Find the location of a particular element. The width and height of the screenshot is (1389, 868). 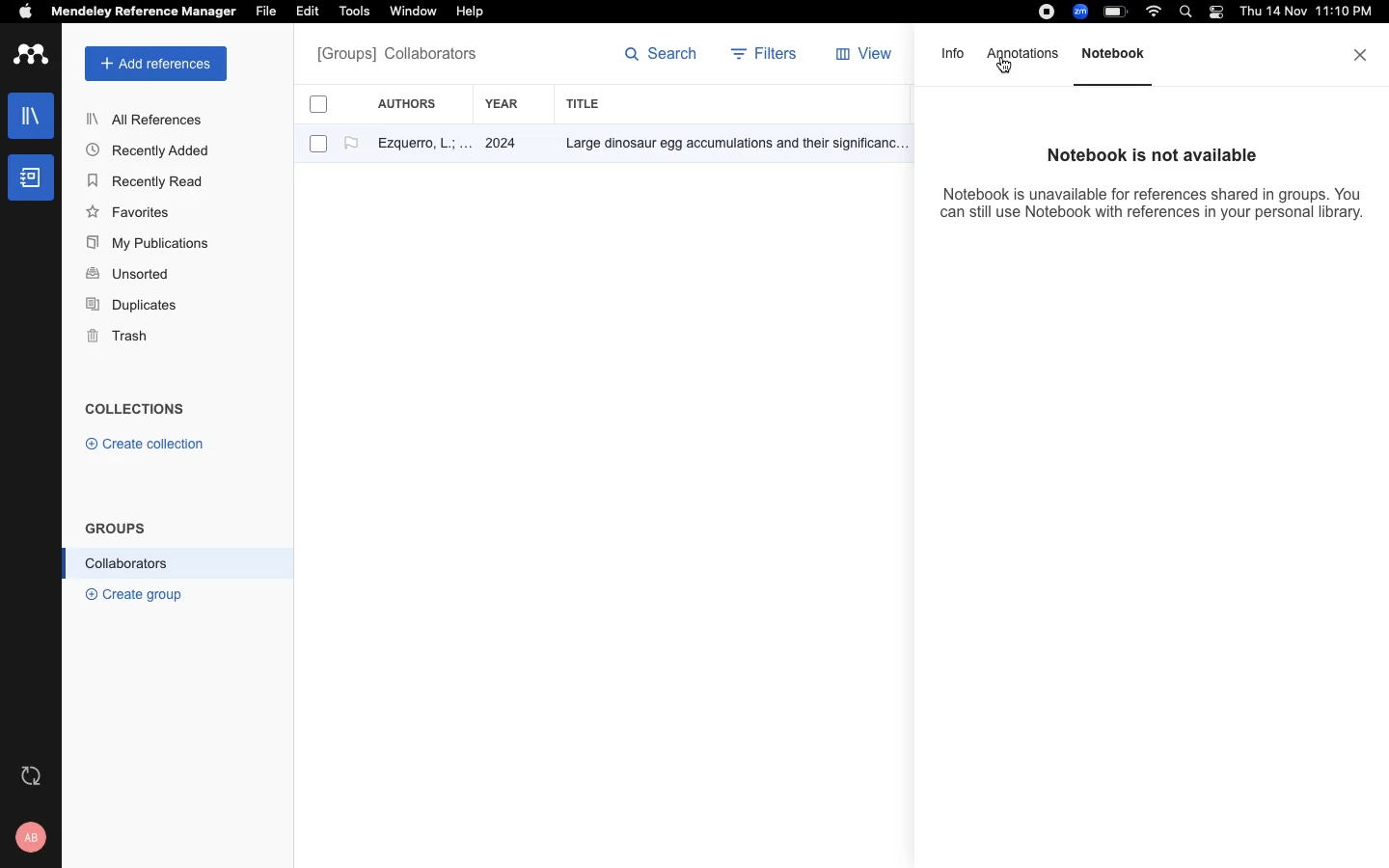

year is located at coordinates (512, 104).